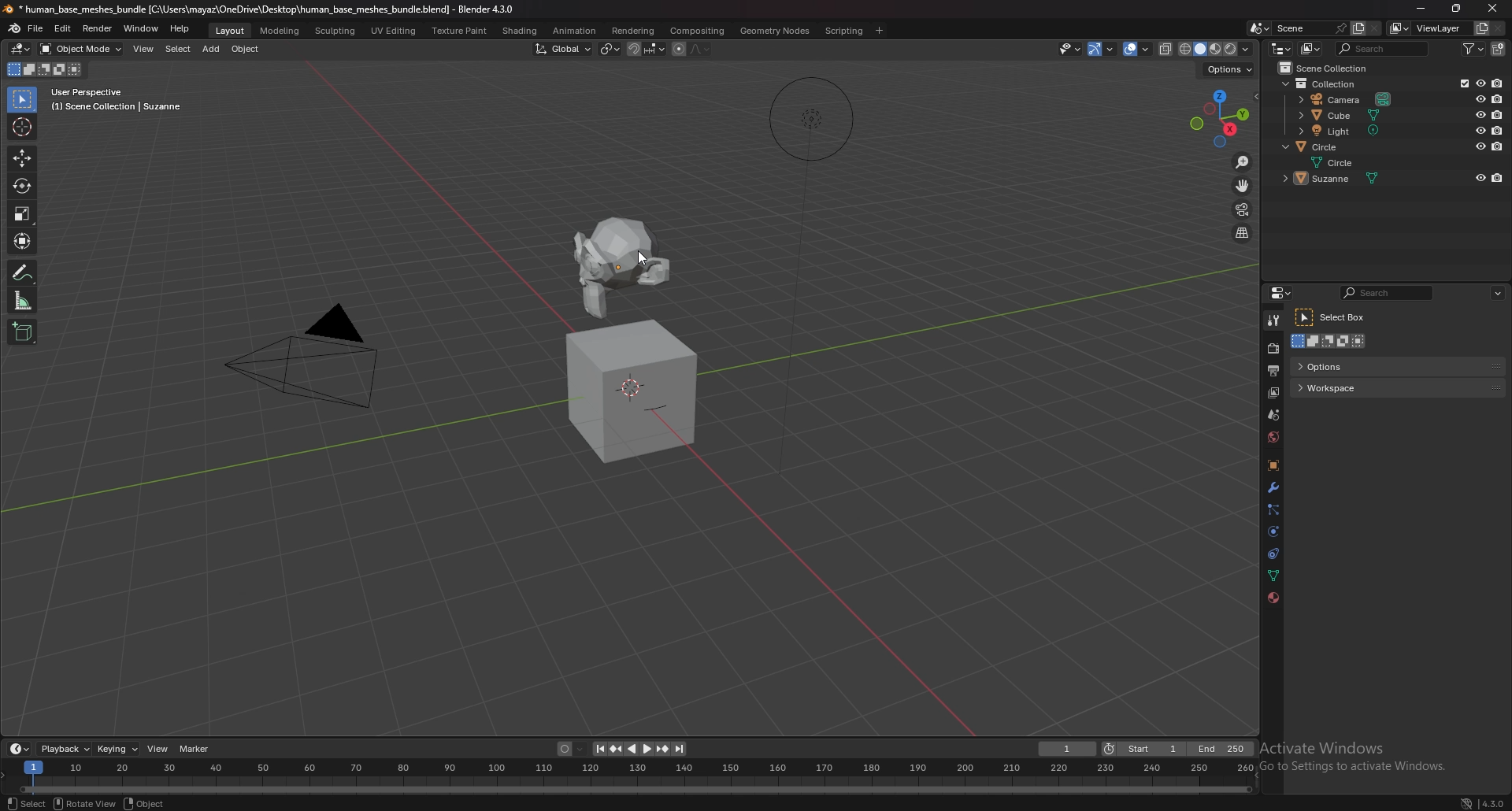  Describe the element at coordinates (24, 331) in the screenshot. I see `add cube` at that location.